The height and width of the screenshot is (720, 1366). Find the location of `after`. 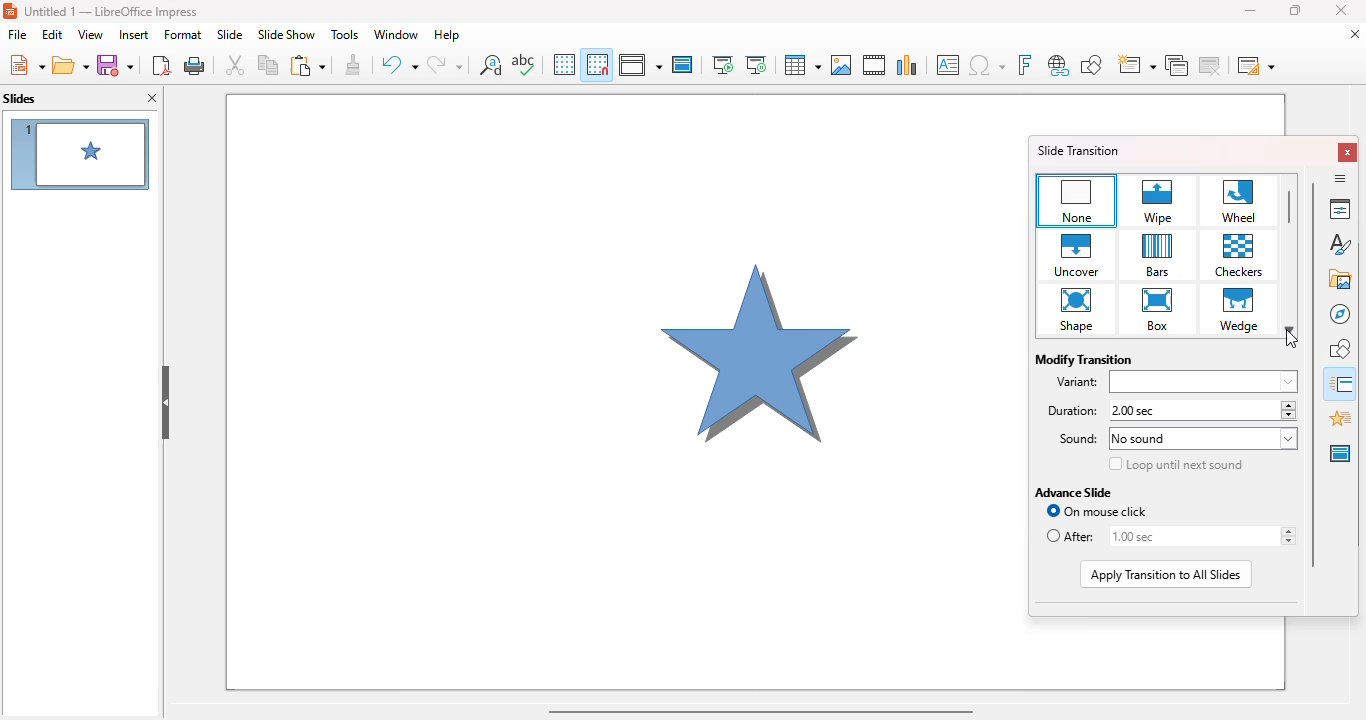

after is located at coordinates (1071, 537).